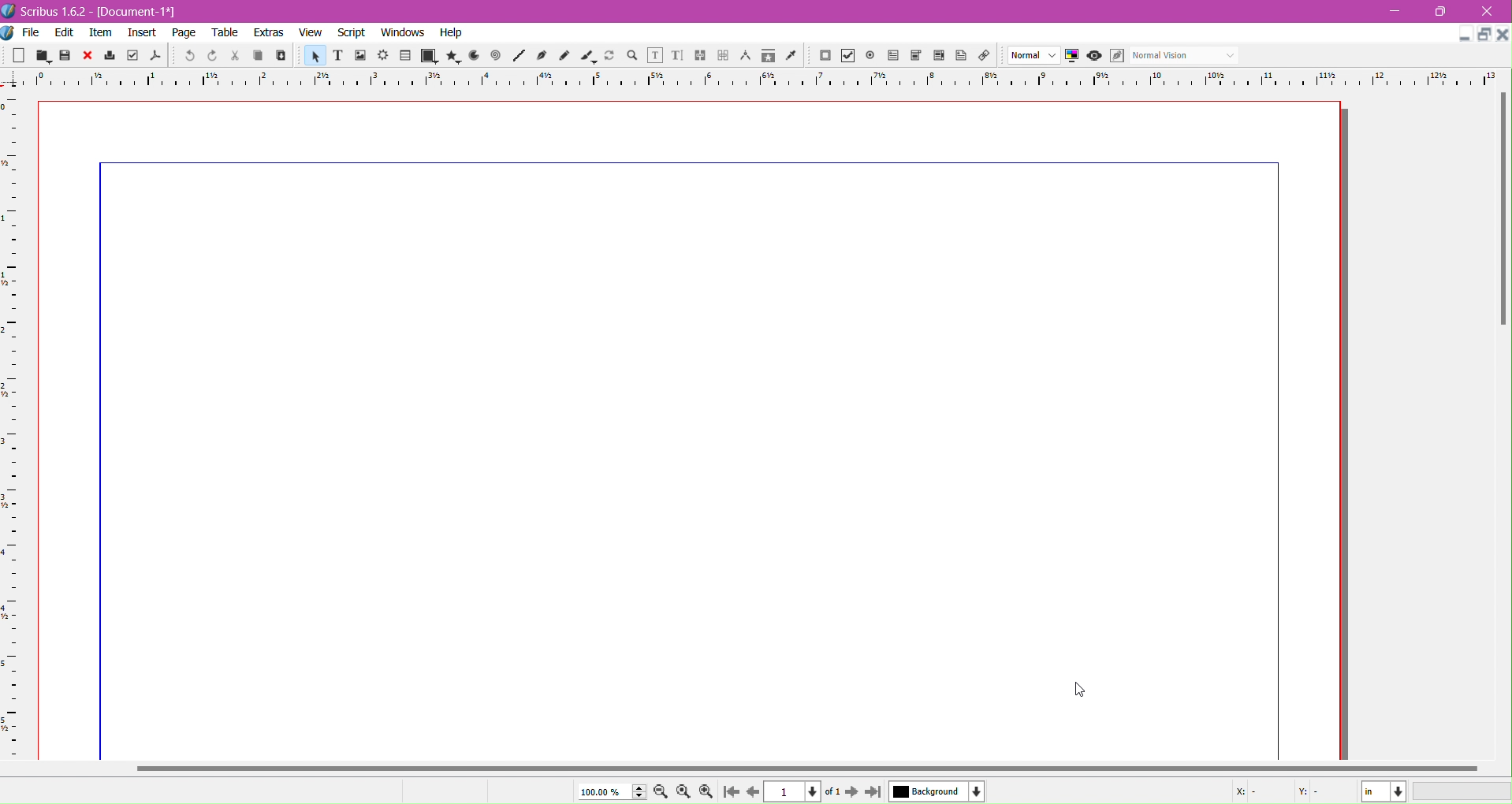  What do you see at coordinates (142, 34) in the screenshot?
I see `insert menu` at bounding box center [142, 34].